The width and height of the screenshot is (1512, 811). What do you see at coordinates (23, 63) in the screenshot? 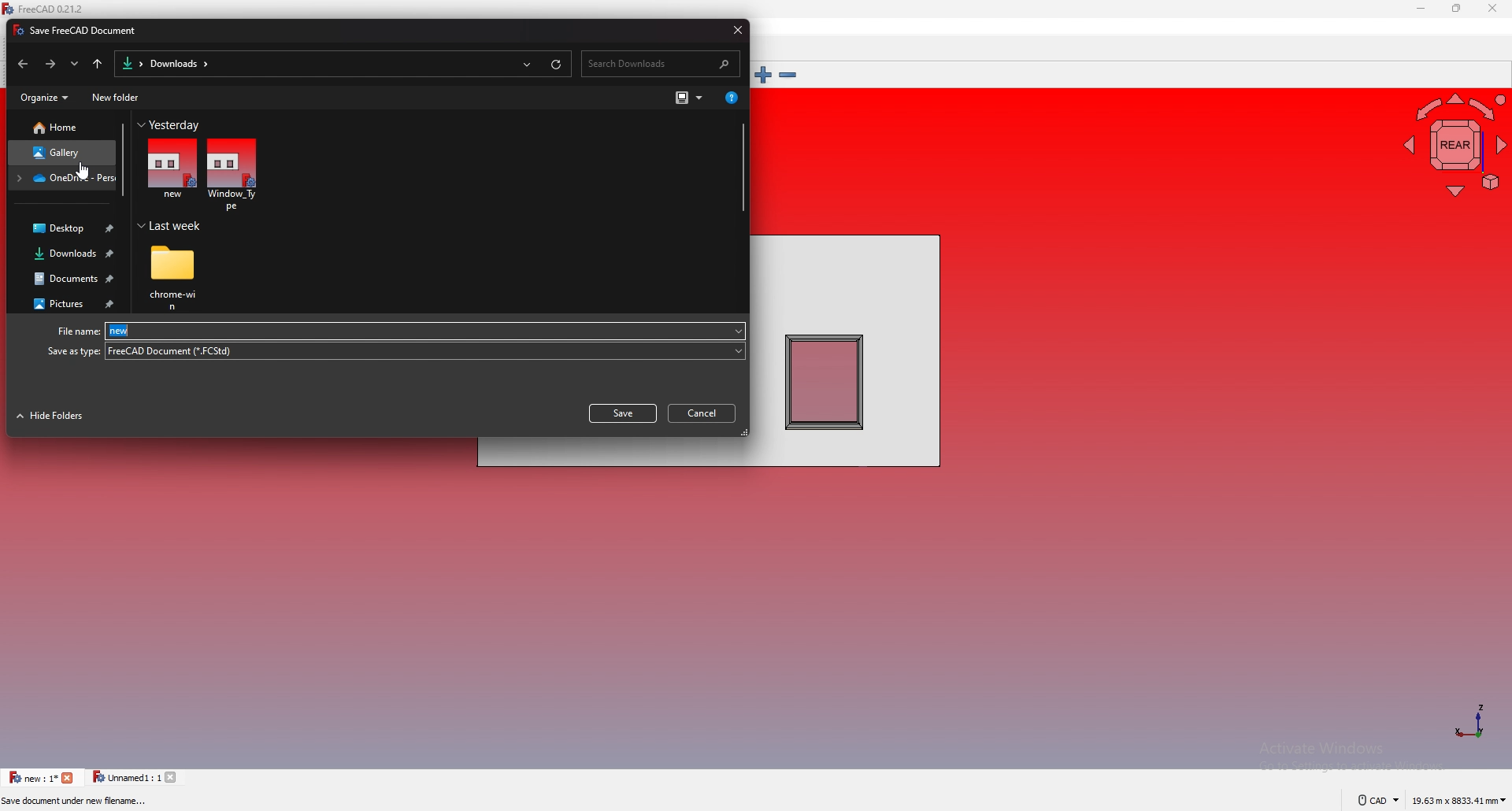
I see `back` at bounding box center [23, 63].